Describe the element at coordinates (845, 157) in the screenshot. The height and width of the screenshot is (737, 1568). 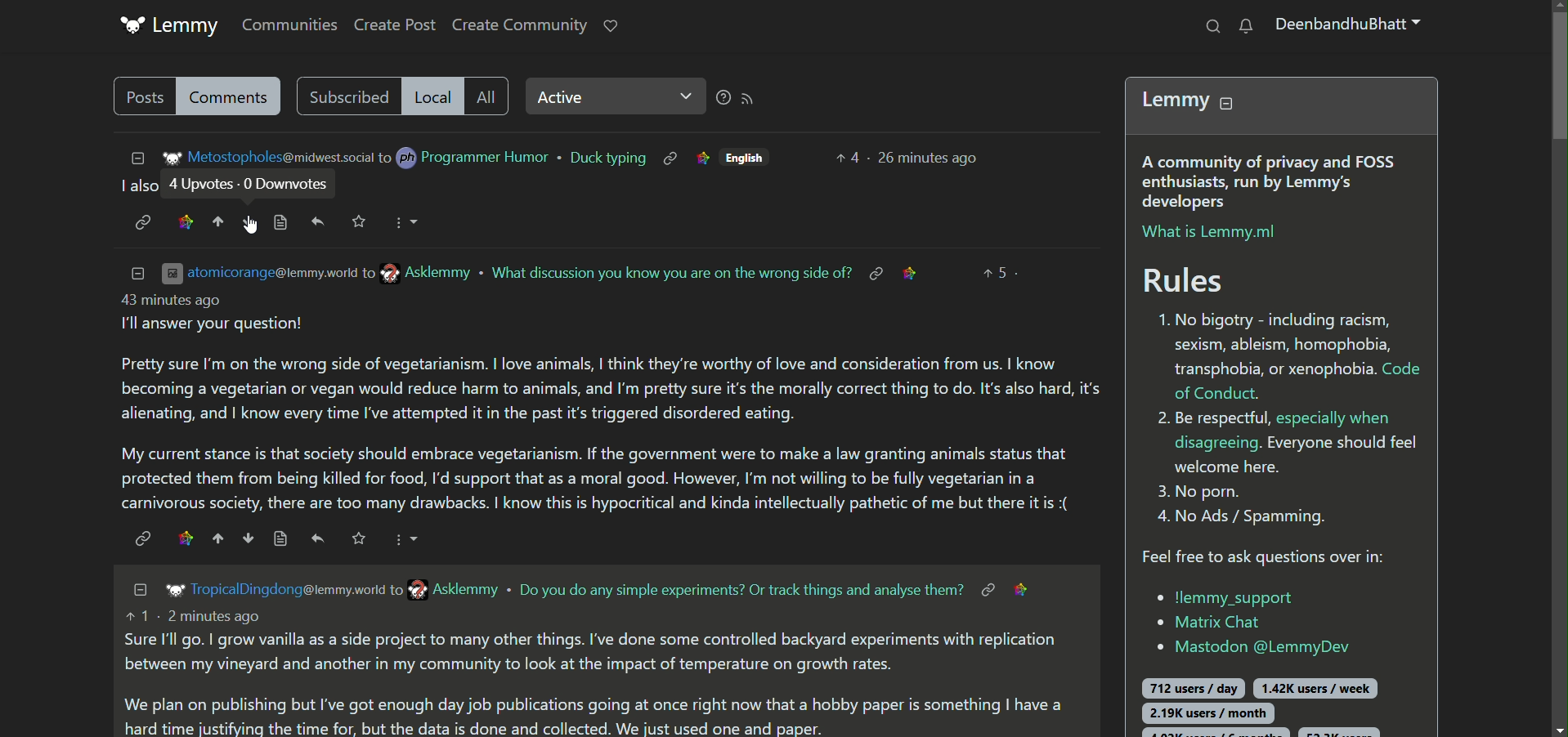
I see `reactions` at that location.